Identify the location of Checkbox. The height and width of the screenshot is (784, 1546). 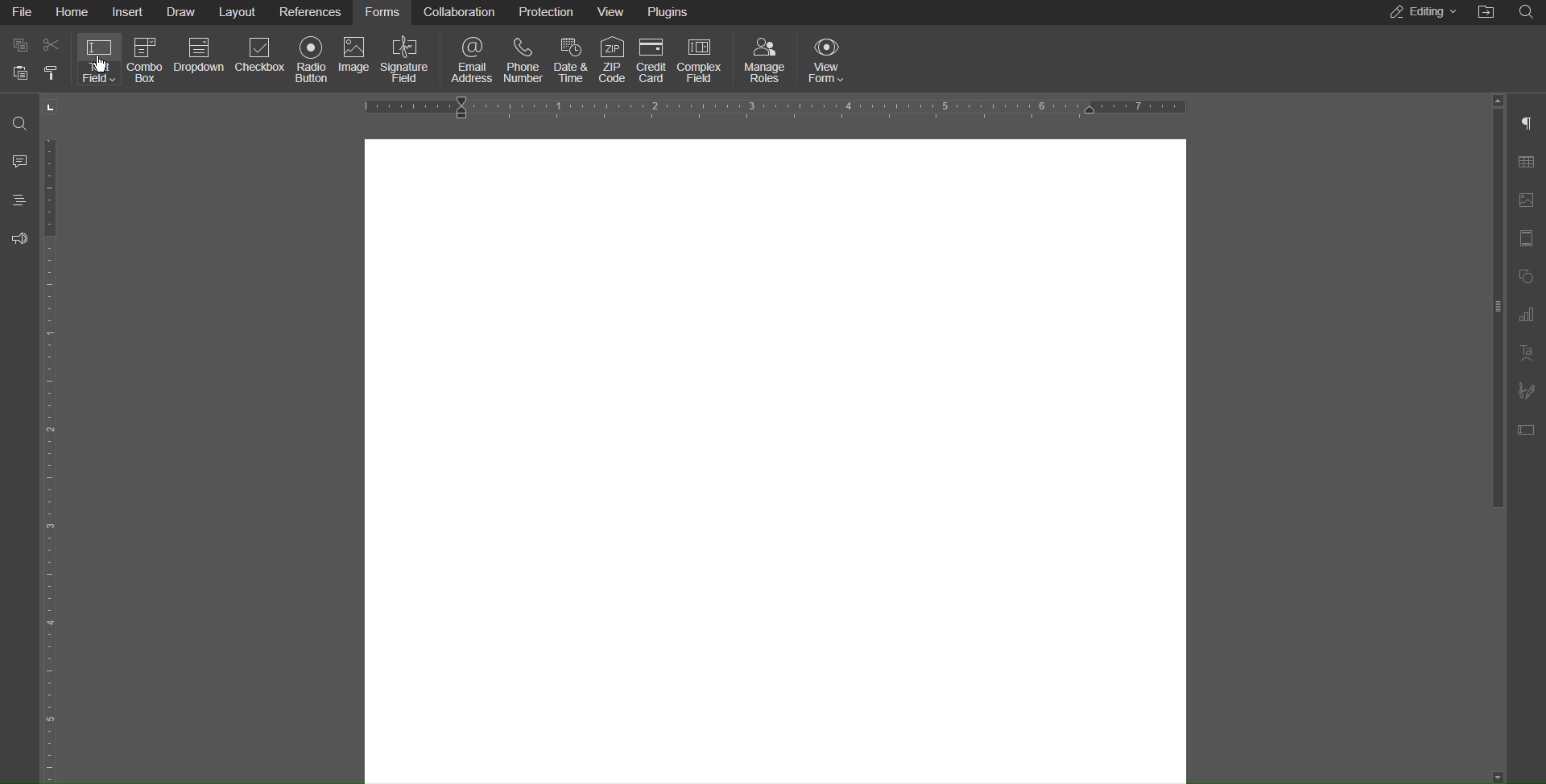
(261, 56).